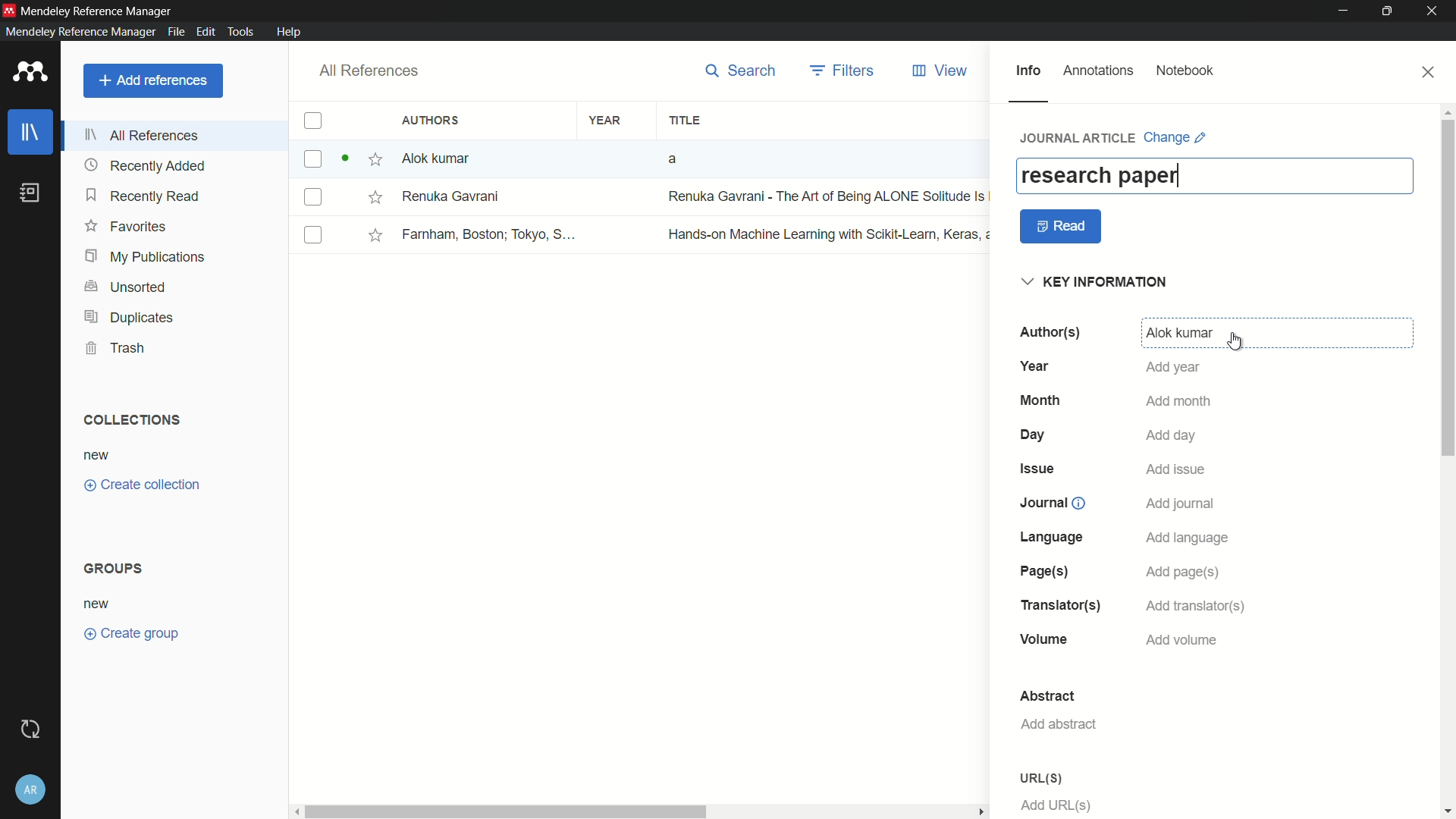 The width and height of the screenshot is (1456, 819). Describe the element at coordinates (1172, 367) in the screenshot. I see `add year` at that location.